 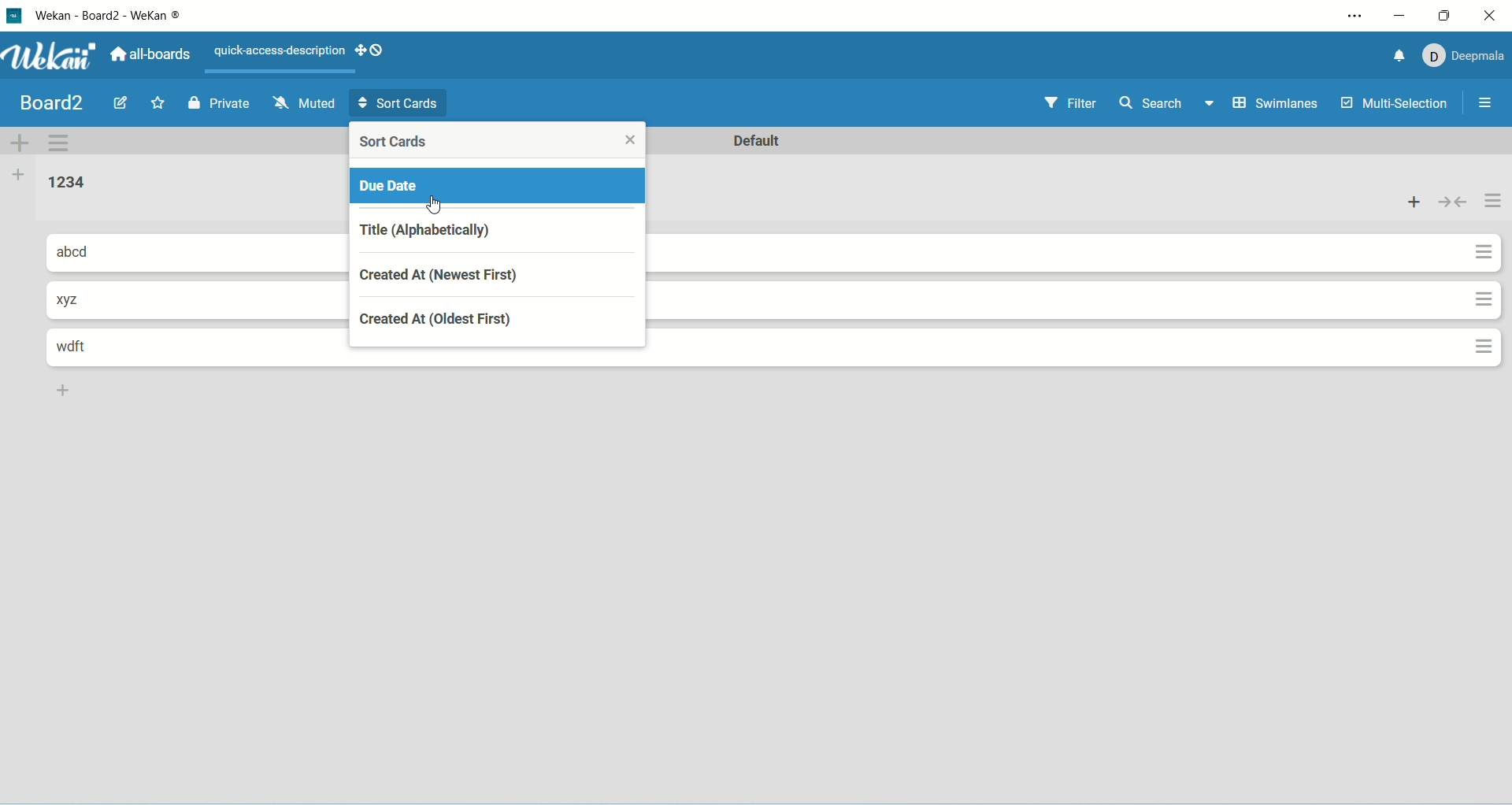 I want to click on cursor, so click(x=432, y=207).